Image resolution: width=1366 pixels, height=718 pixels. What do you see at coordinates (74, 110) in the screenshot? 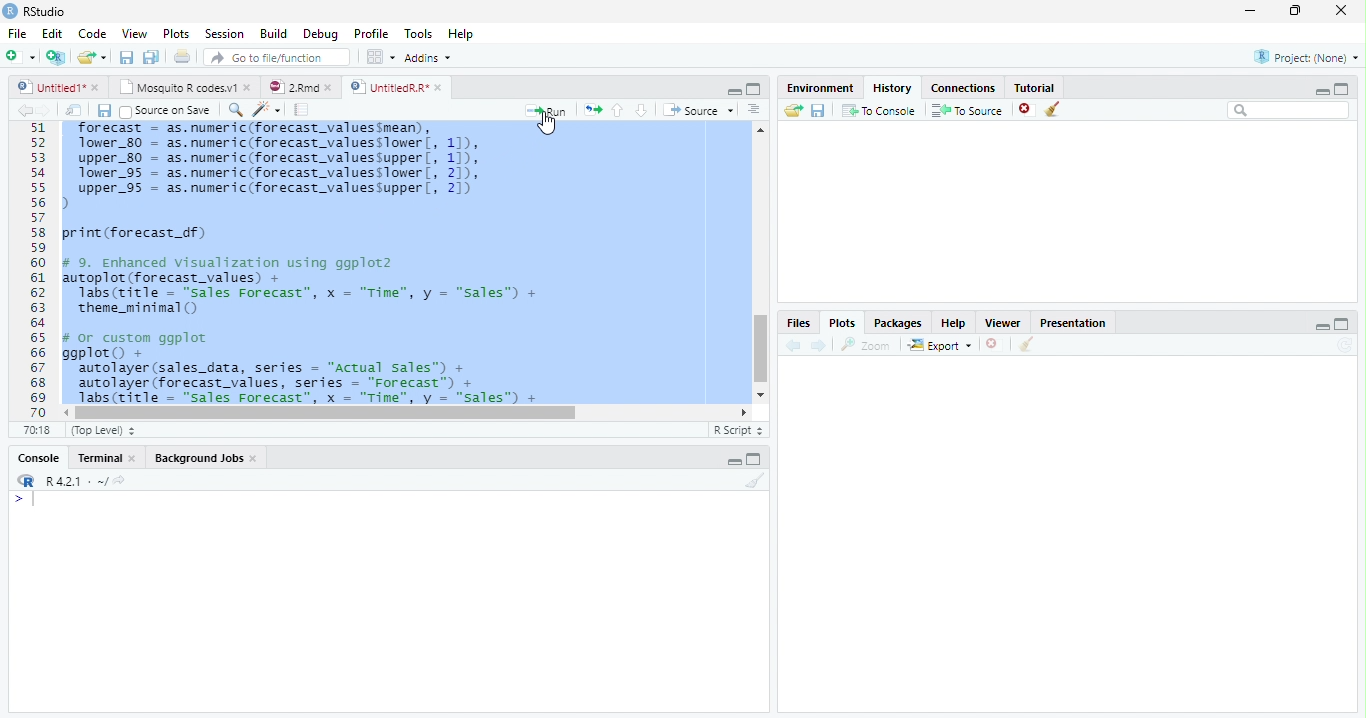
I see `Show in new window` at bounding box center [74, 110].